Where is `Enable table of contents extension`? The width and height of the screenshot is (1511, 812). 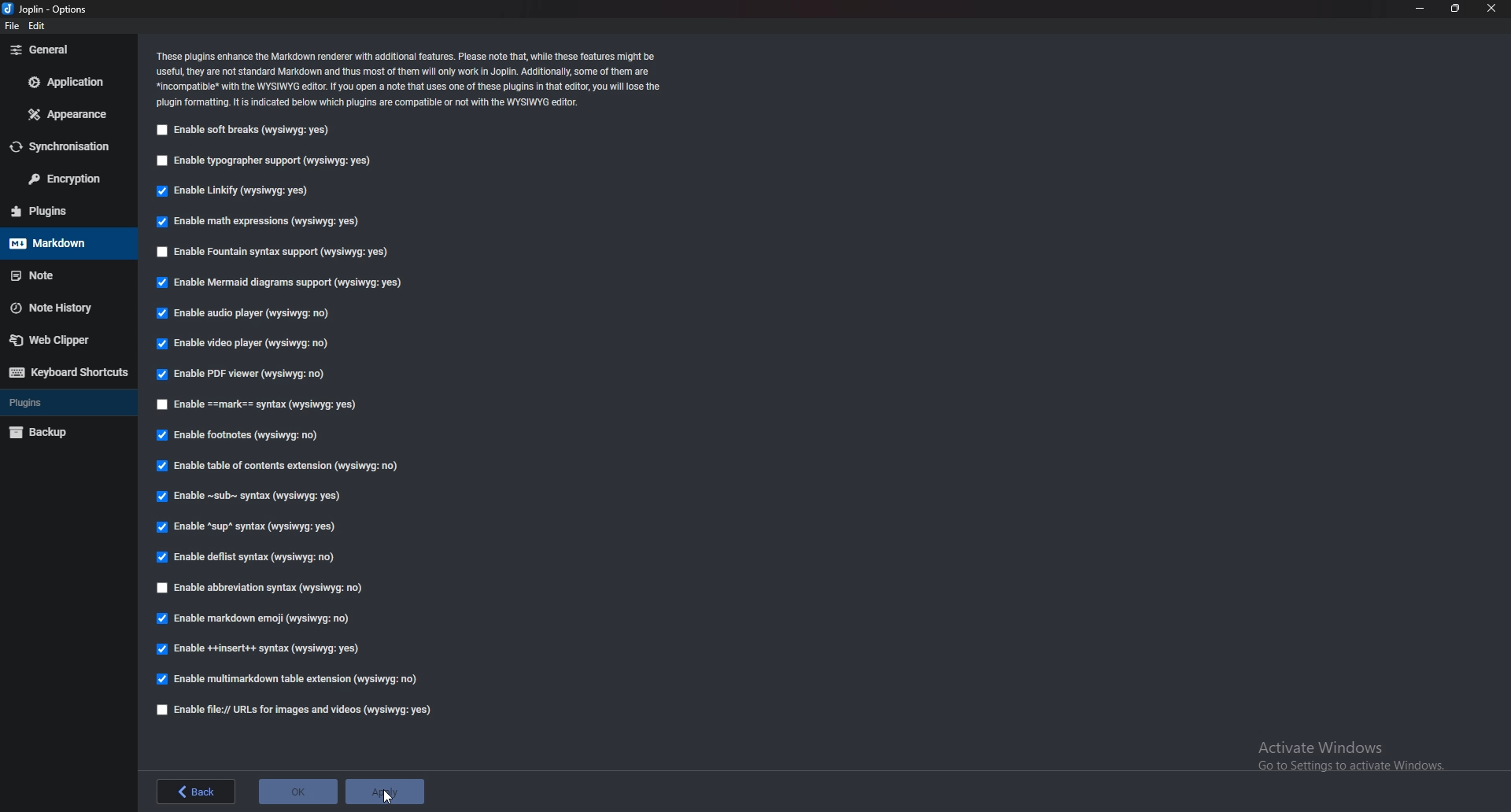 Enable table of contents extension is located at coordinates (281, 465).